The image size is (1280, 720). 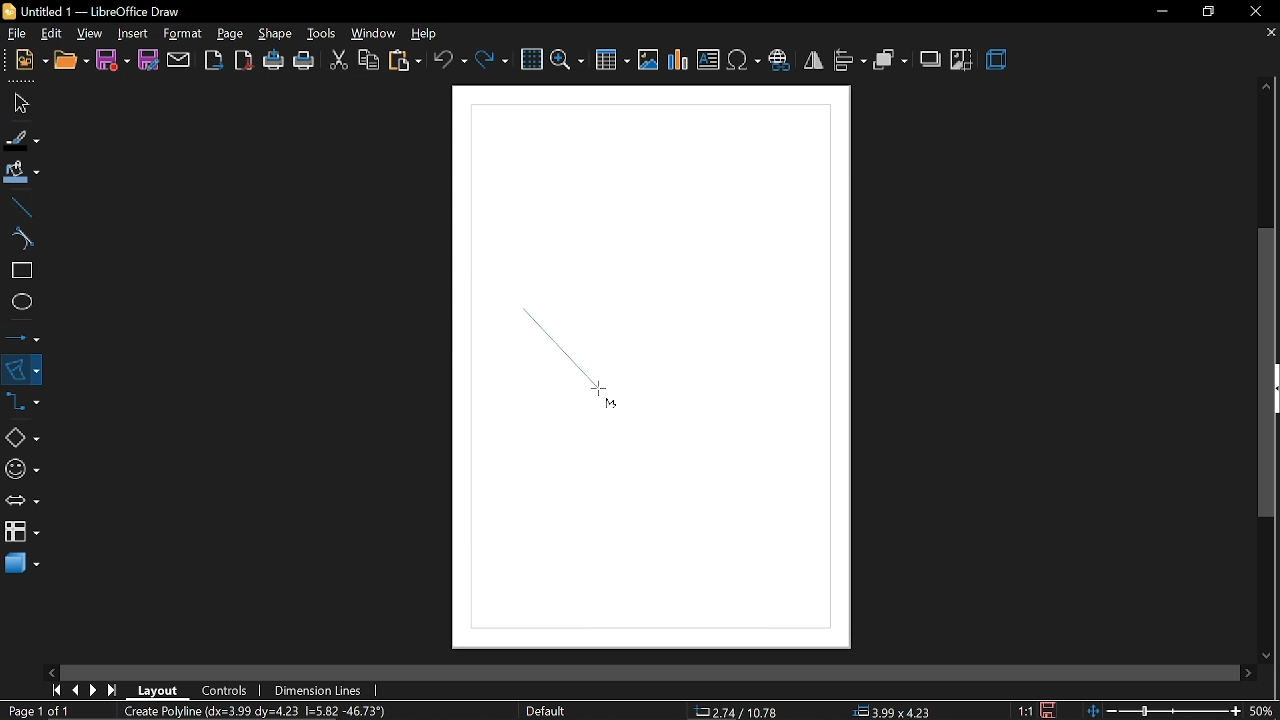 What do you see at coordinates (318, 689) in the screenshot?
I see `dimension` at bounding box center [318, 689].